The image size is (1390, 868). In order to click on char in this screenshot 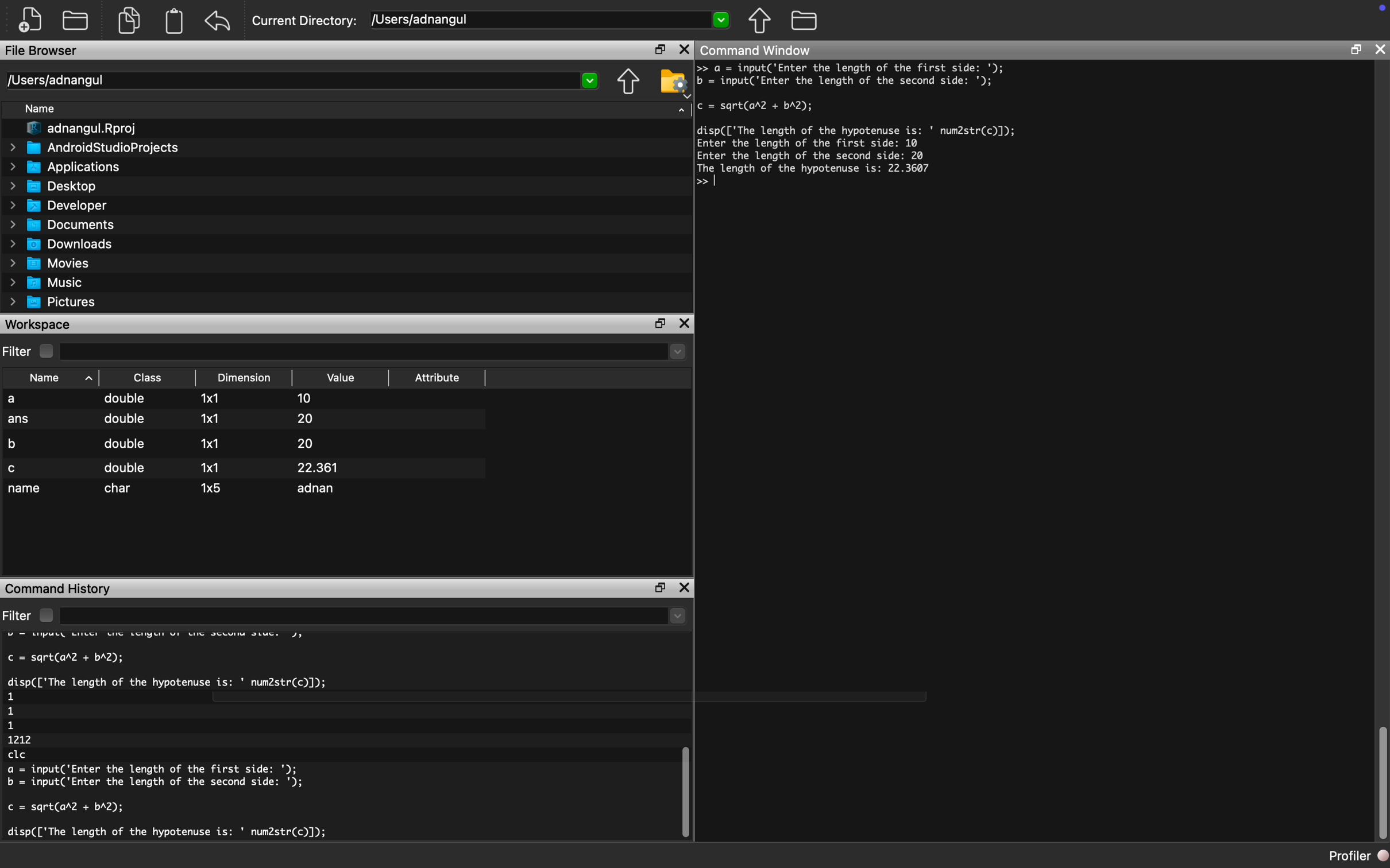, I will do `click(121, 489)`.